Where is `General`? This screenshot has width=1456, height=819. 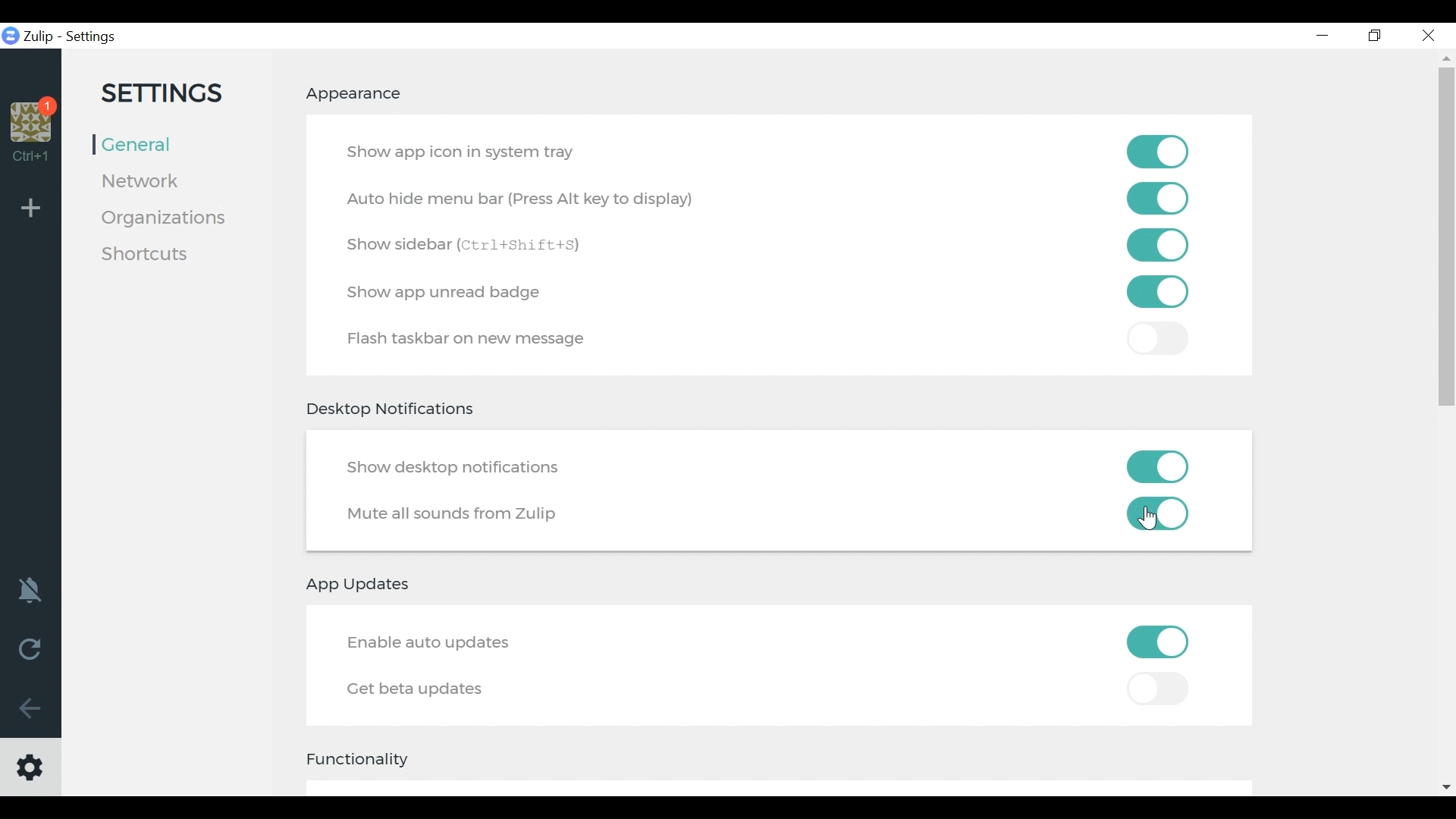
General is located at coordinates (140, 143).